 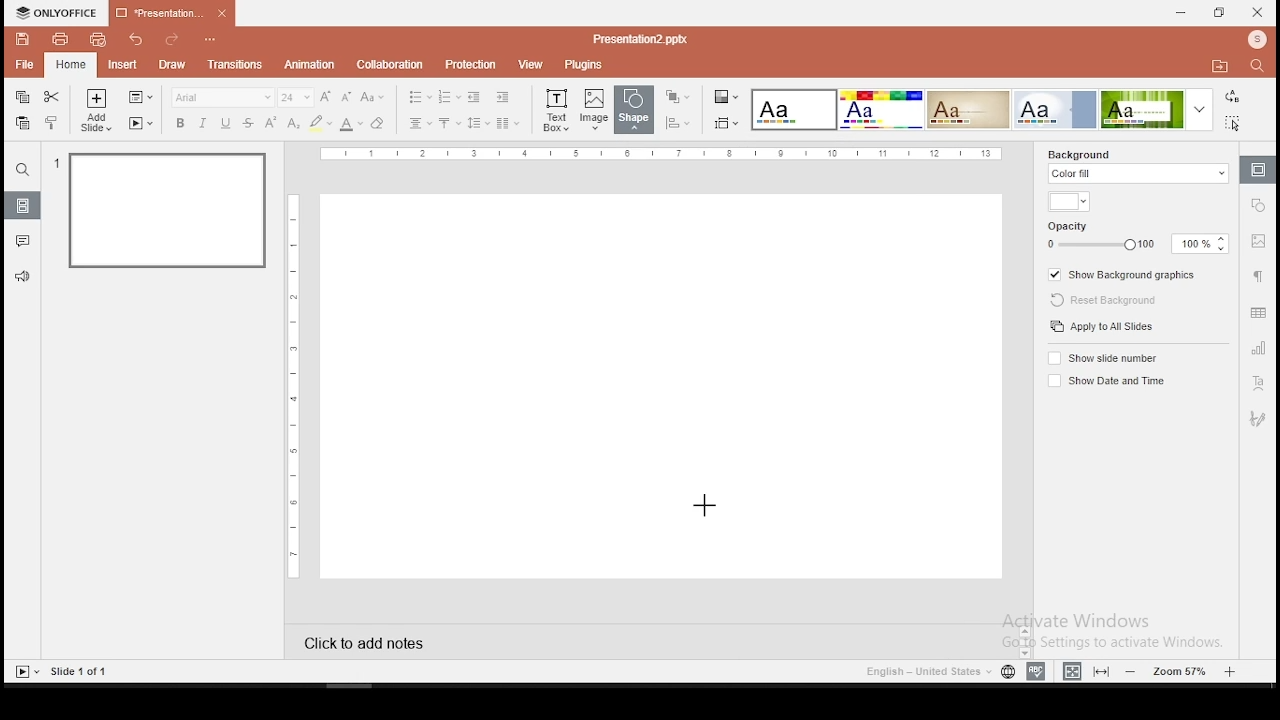 What do you see at coordinates (26, 672) in the screenshot?
I see `start slideshow` at bounding box center [26, 672].